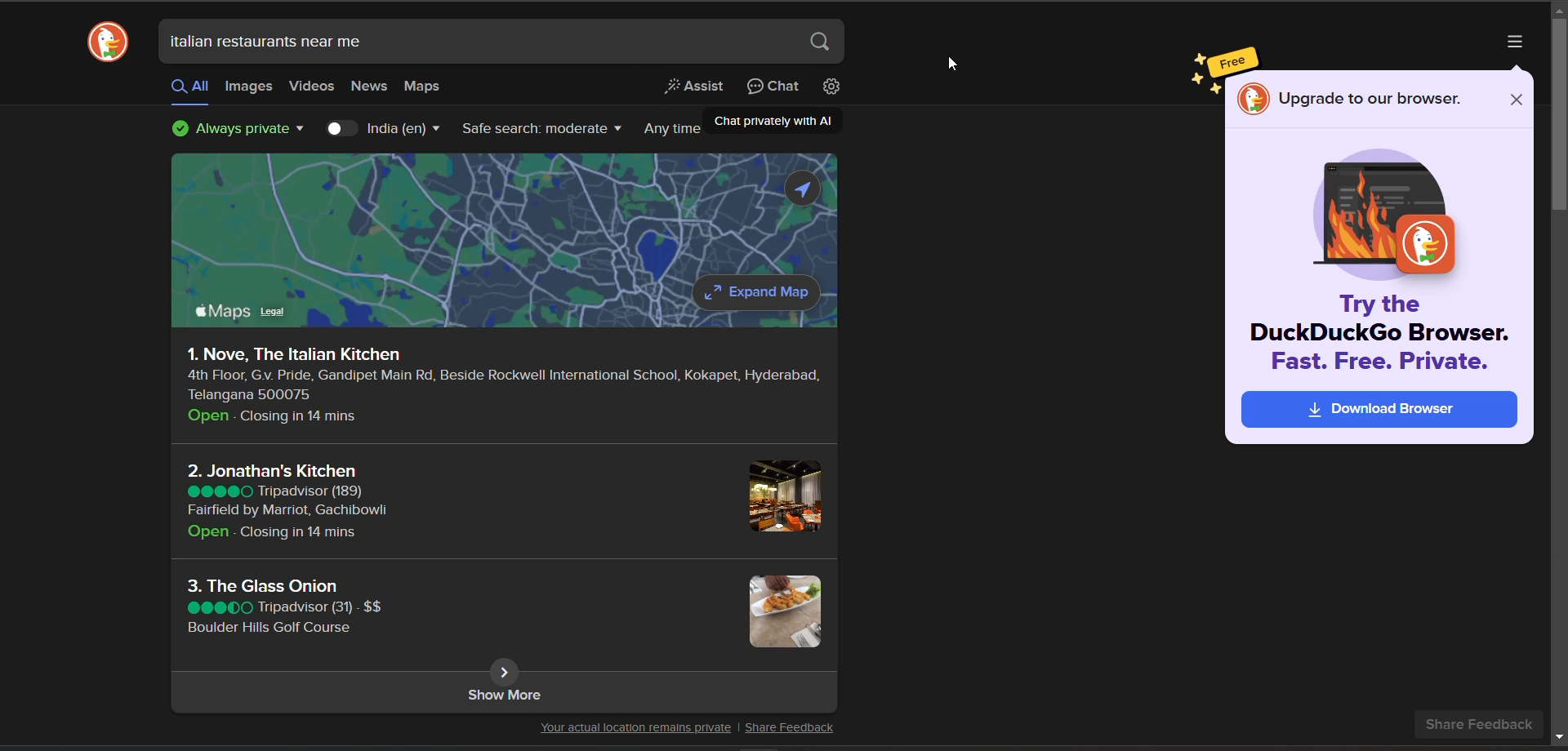 The image size is (1568, 751). What do you see at coordinates (831, 86) in the screenshot?
I see `change search settings` at bounding box center [831, 86].